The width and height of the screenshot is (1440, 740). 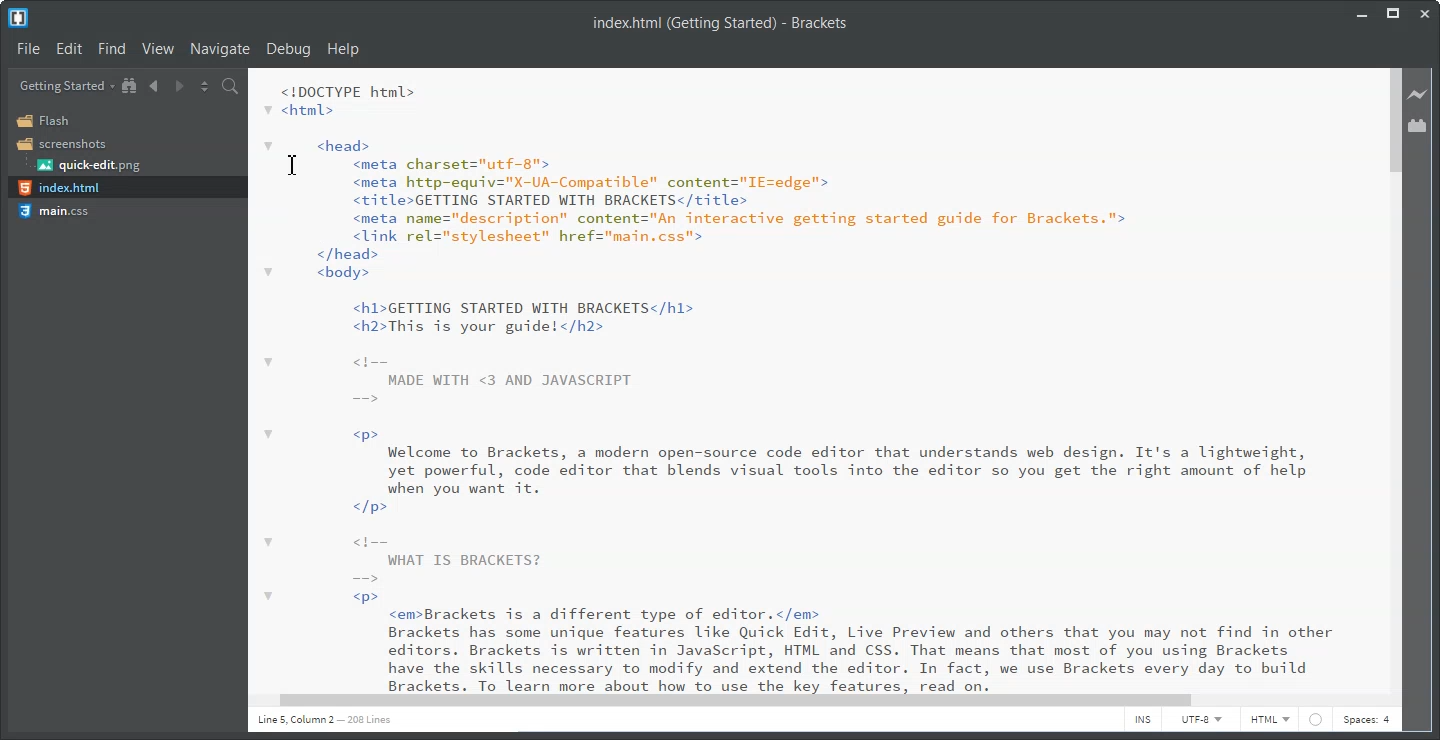 What do you see at coordinates (812, 701) in the screenshot?
I see `Horizontal Scroll bar ` at bounding box center [812, 701].